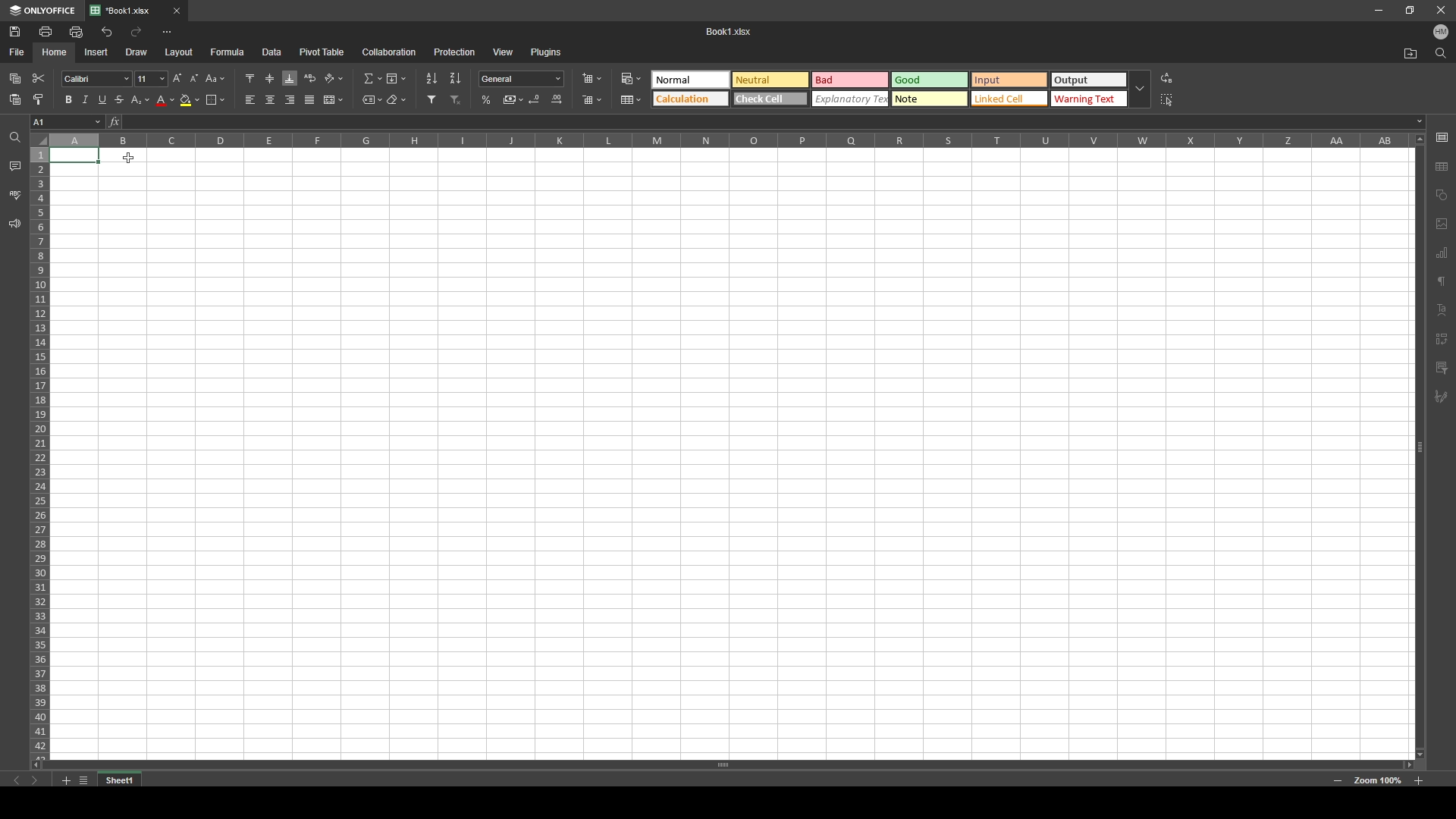  Describe the element at coordinates (17, 780) in the screenshot. I see `previous` at that location.